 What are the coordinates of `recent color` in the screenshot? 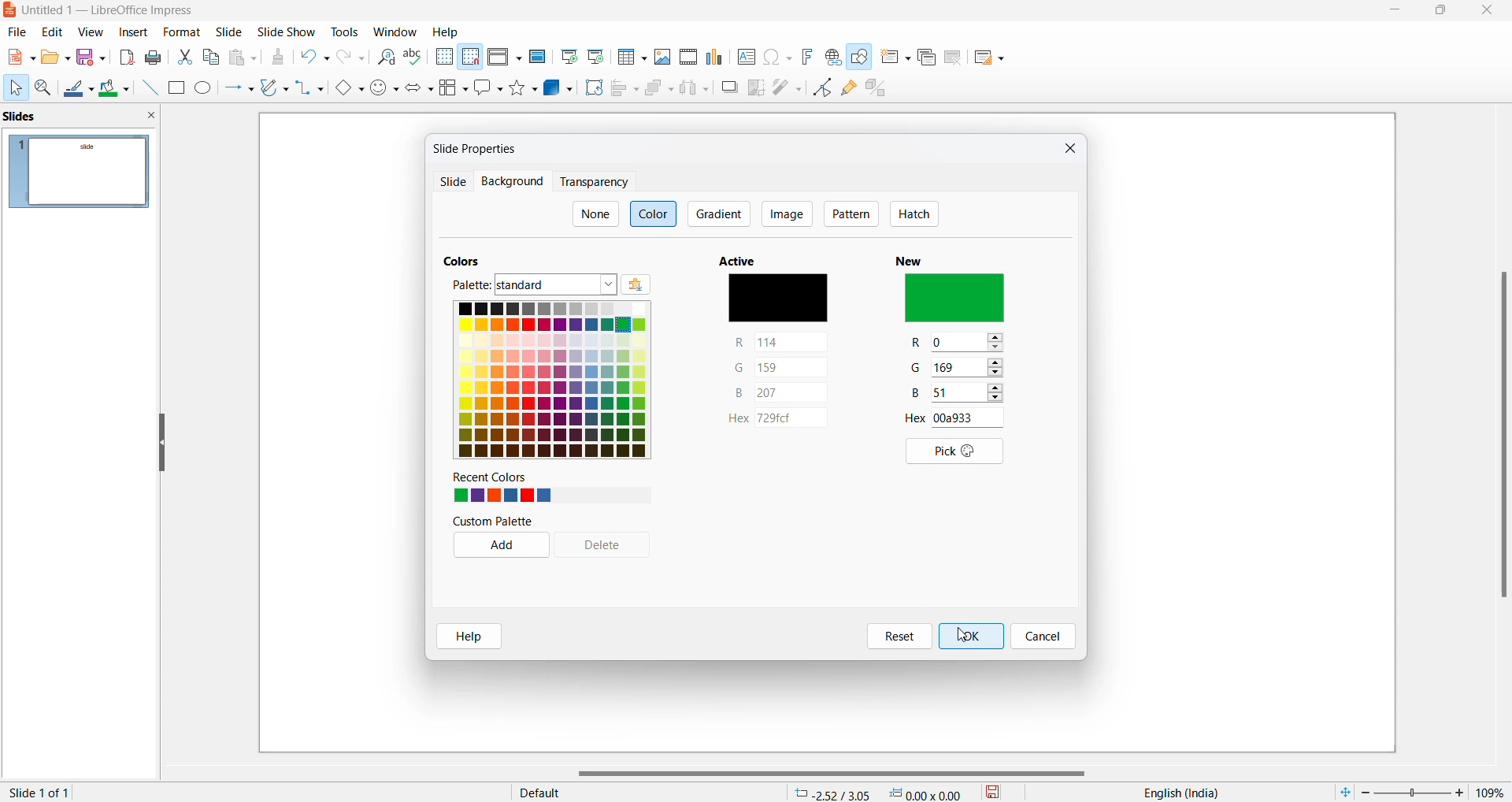 It's located at (504, 477).